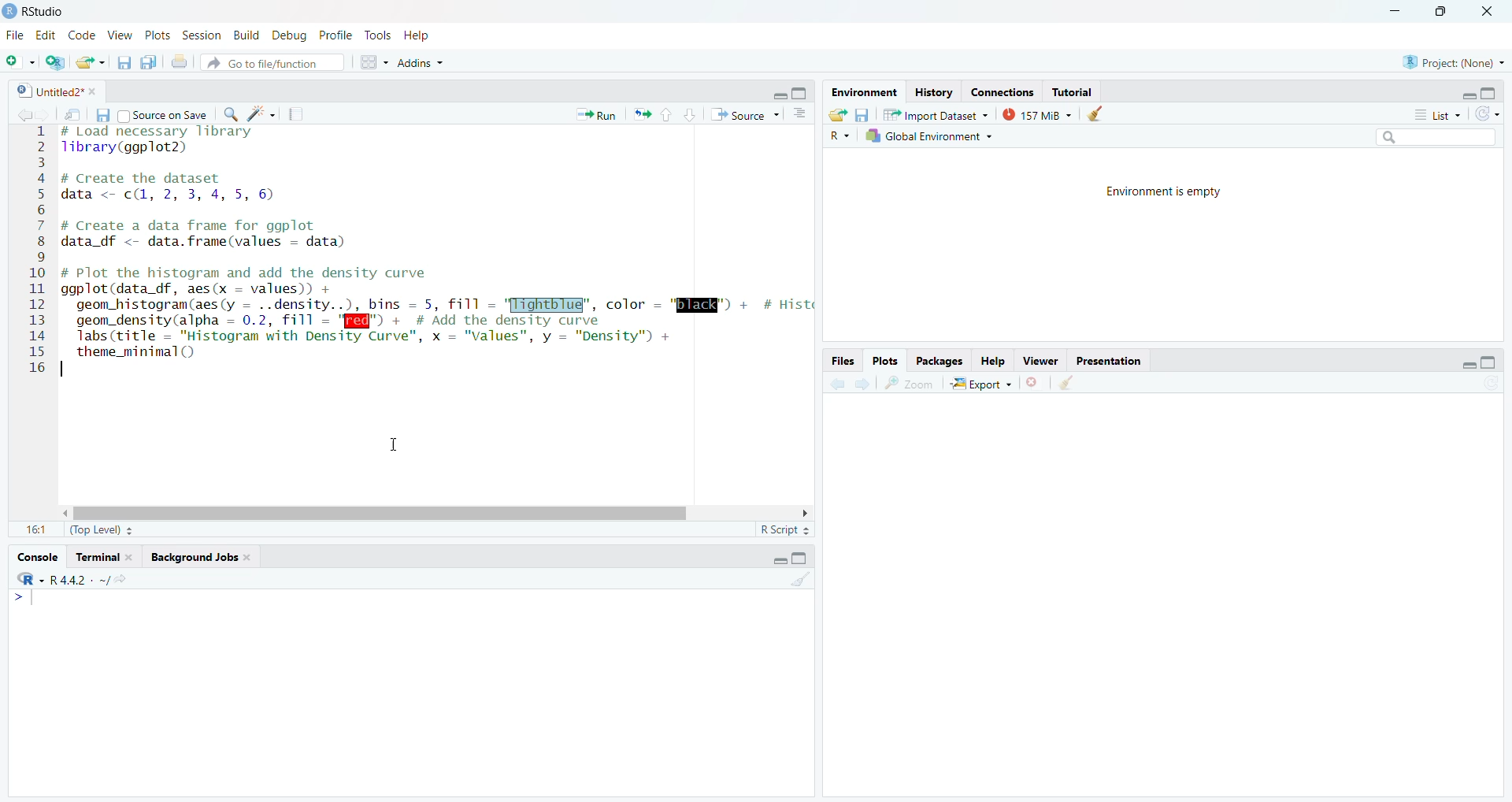  Describe the element at coordinates (885, 359) in the screenshot. I see `Plots` at that location.